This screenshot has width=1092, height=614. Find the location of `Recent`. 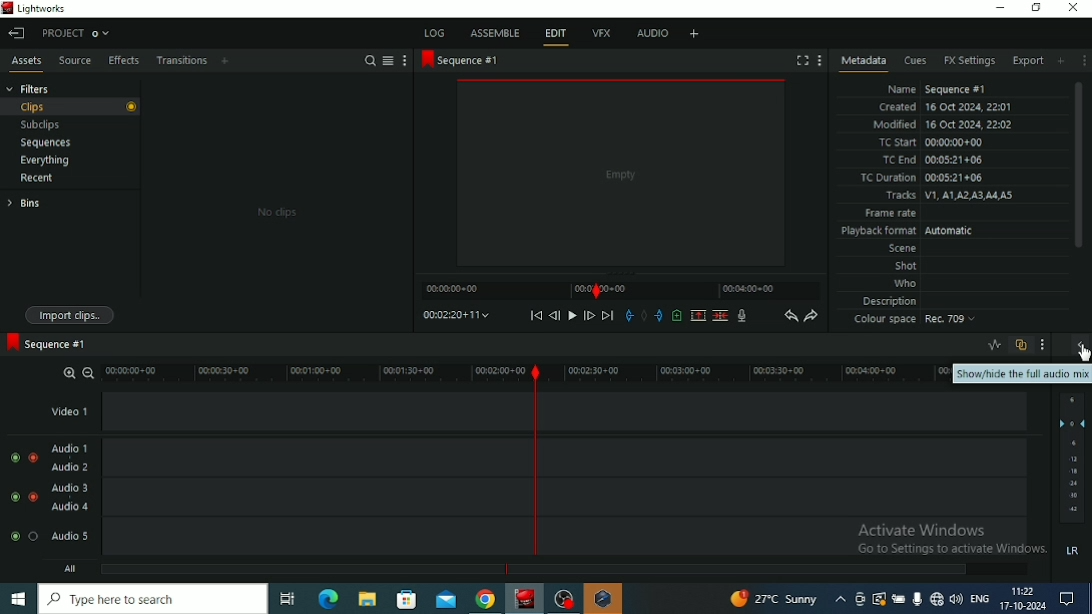

Recent is located at coordinates (37, 179).